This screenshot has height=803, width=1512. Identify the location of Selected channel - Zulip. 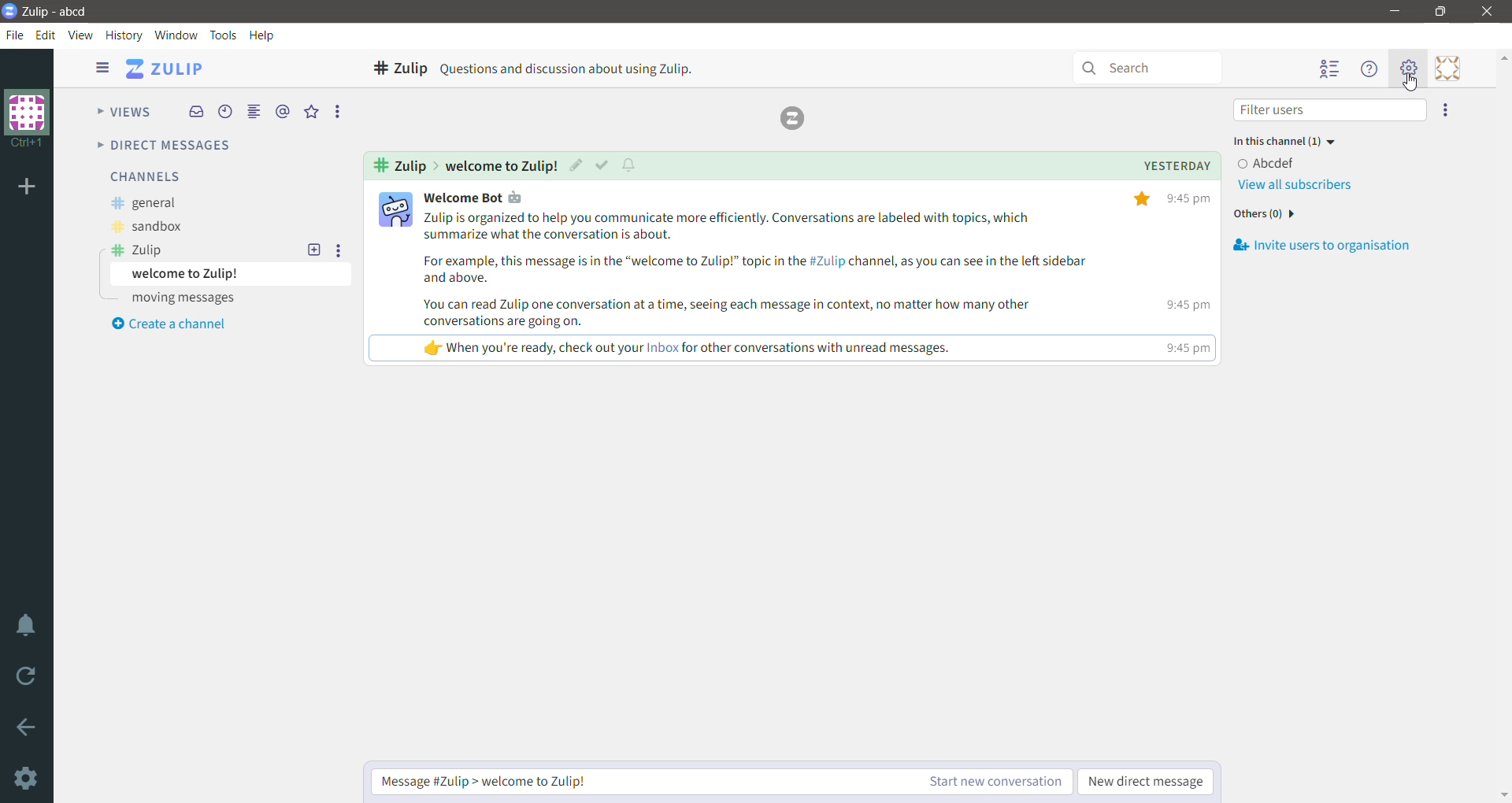
(399, 67).